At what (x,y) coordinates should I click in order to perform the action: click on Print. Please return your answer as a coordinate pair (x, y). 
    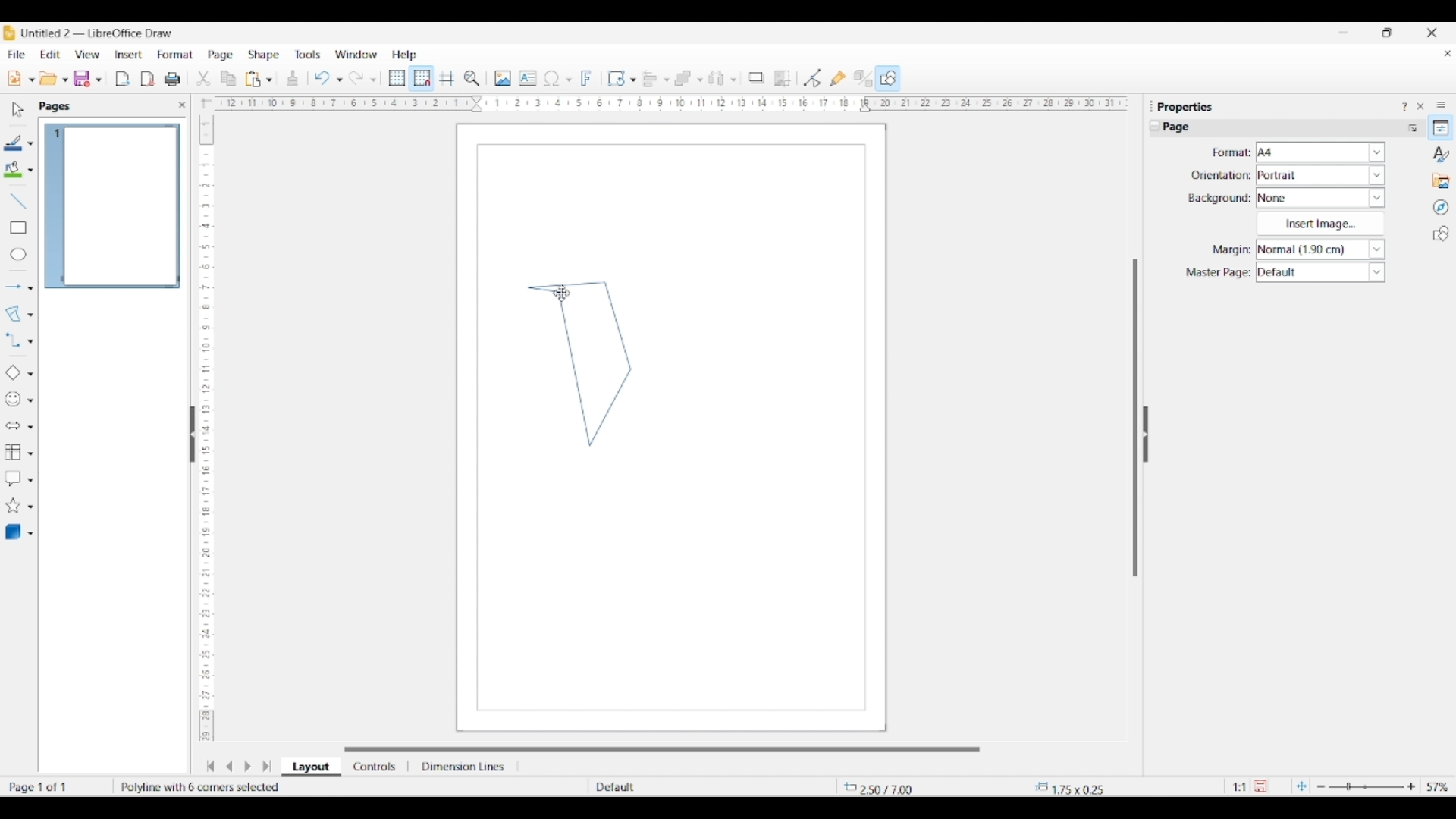
    Looking at the image, I should click on (172, 79).